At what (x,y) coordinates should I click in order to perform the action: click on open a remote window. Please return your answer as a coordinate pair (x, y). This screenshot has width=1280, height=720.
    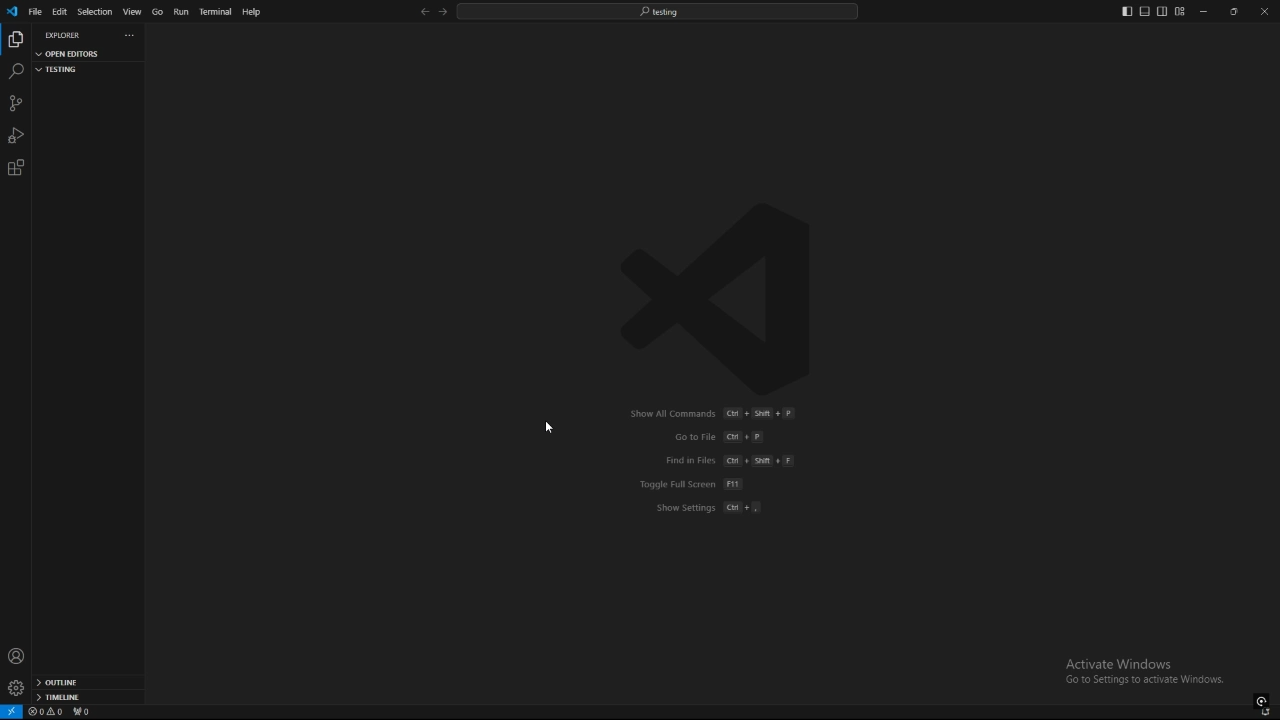
    Looking at the image, I should click on (12, 712).